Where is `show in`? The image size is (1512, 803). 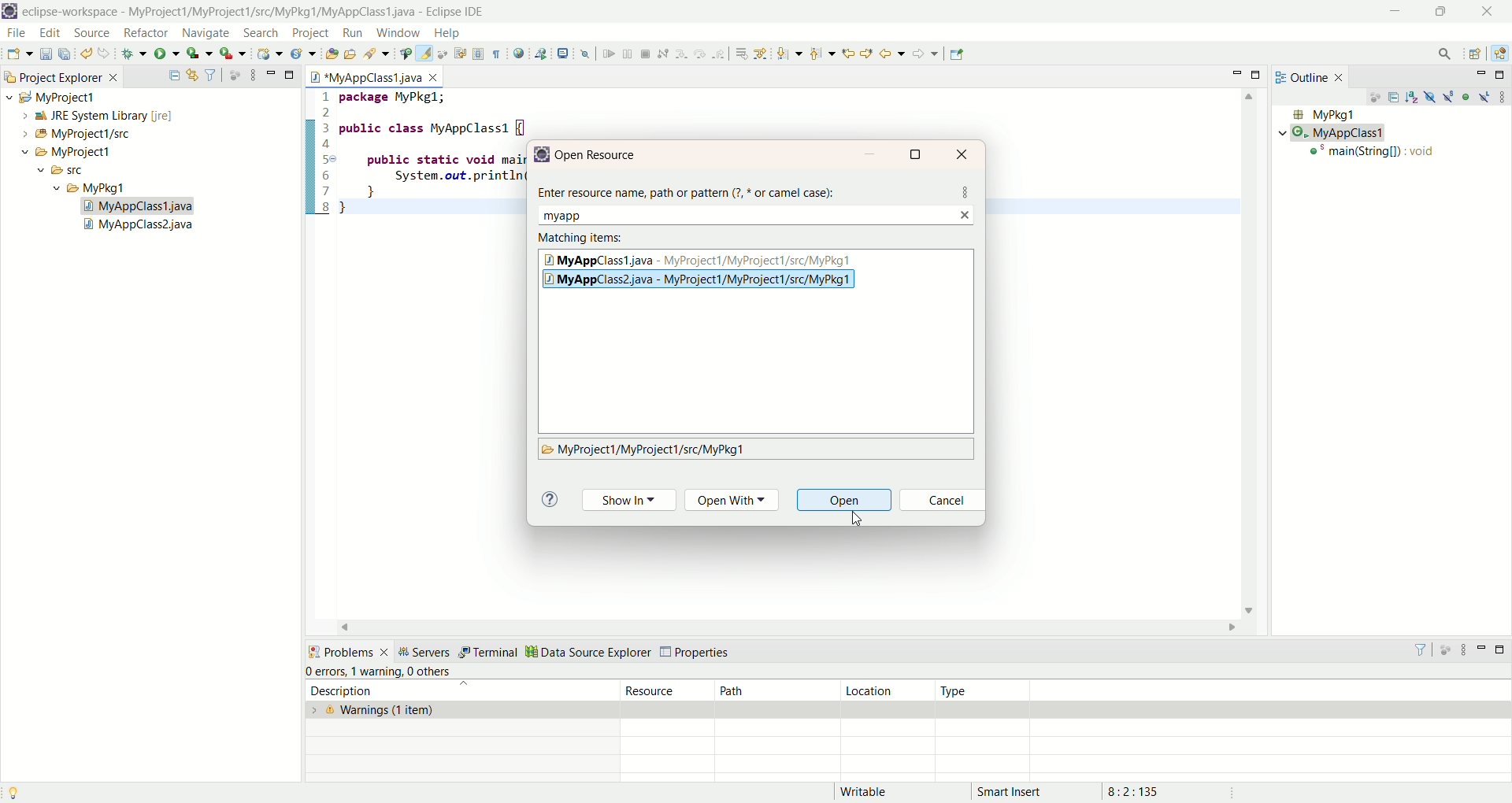 show in is located at coordinates (628, 501).